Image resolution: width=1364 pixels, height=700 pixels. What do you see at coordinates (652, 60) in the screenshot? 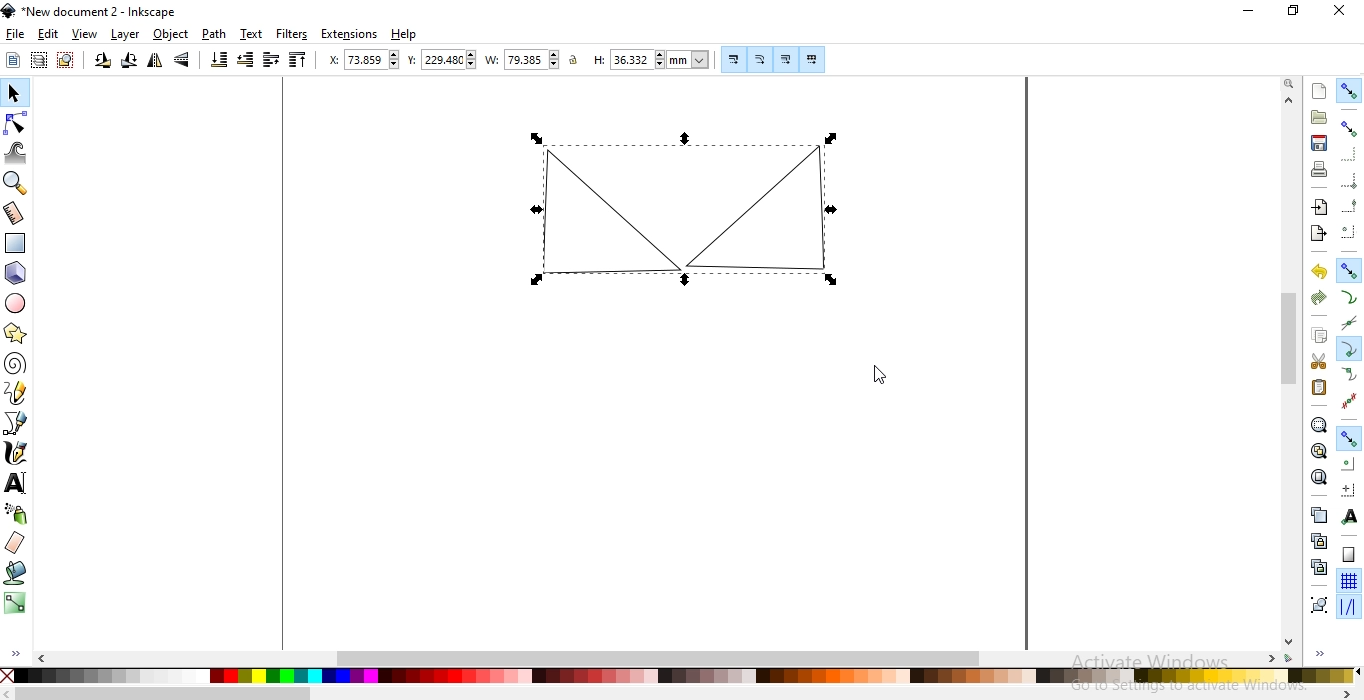
I see `height of selection` at bounding box center [652, 60].